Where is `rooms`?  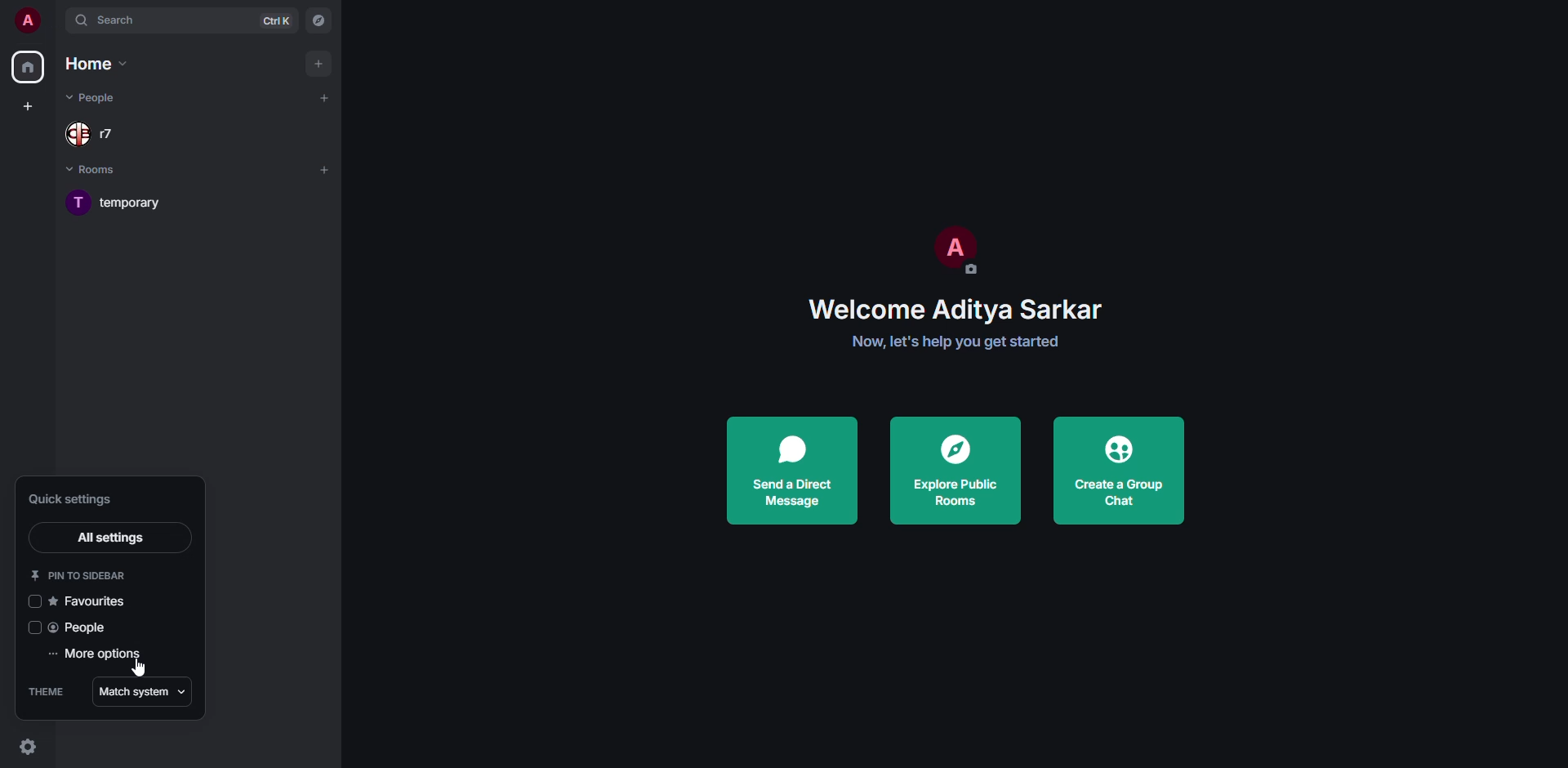
rooms is located at coordinates (98, 171).